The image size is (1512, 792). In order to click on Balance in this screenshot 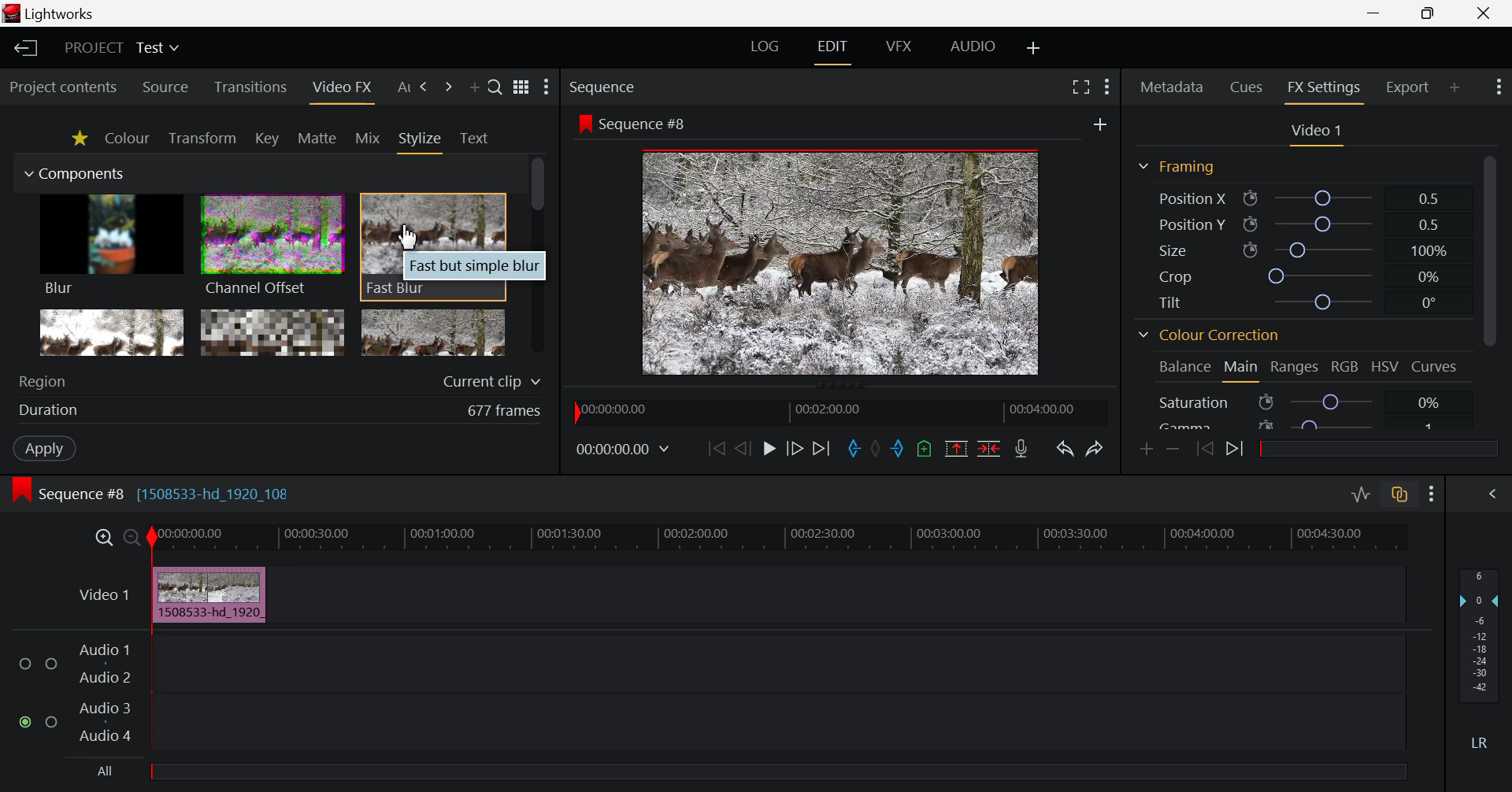, I will do `click(1184, 369)`.